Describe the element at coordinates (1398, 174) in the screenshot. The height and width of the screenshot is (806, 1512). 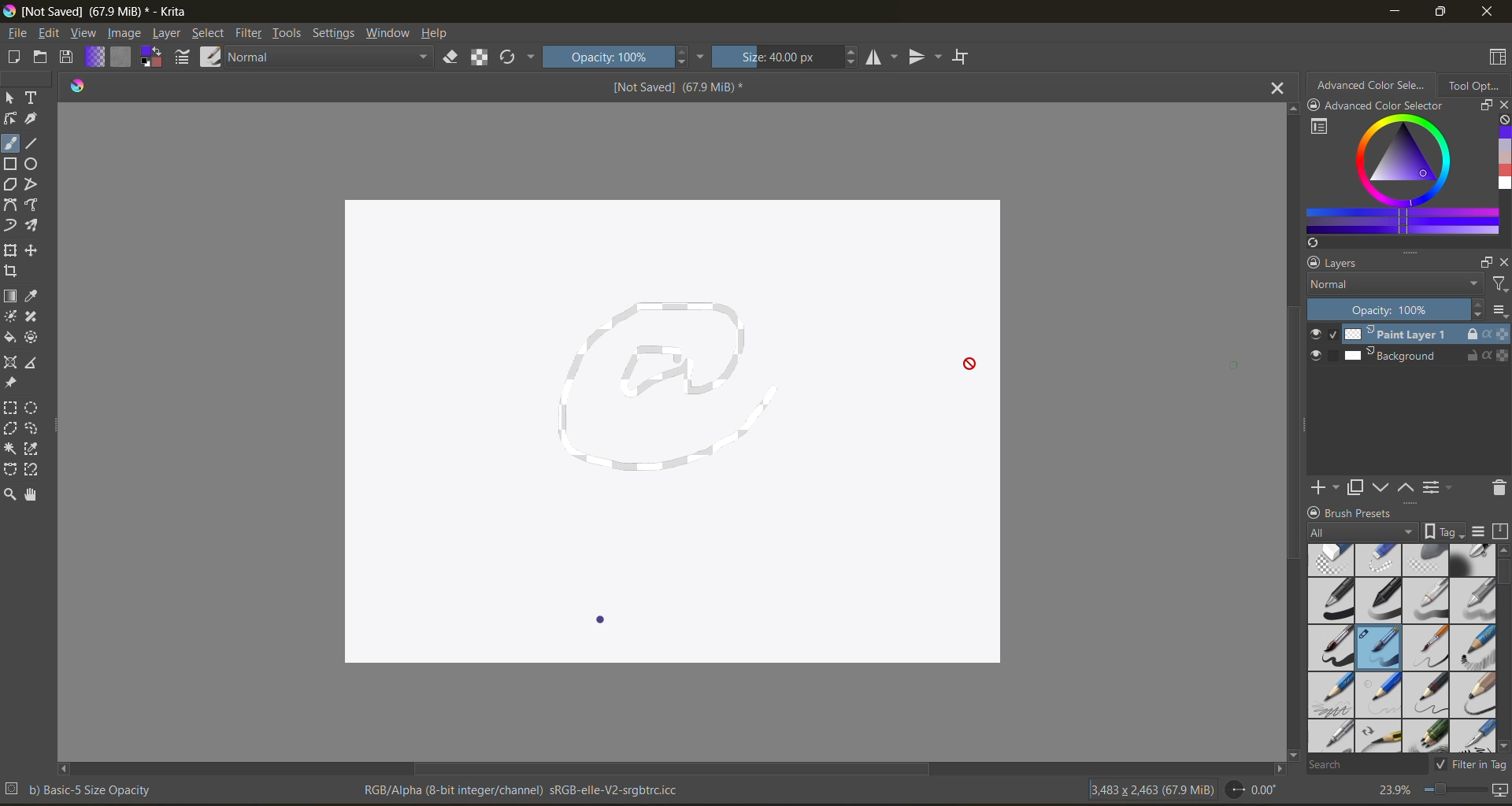
I see `advanced color selector` at that location.